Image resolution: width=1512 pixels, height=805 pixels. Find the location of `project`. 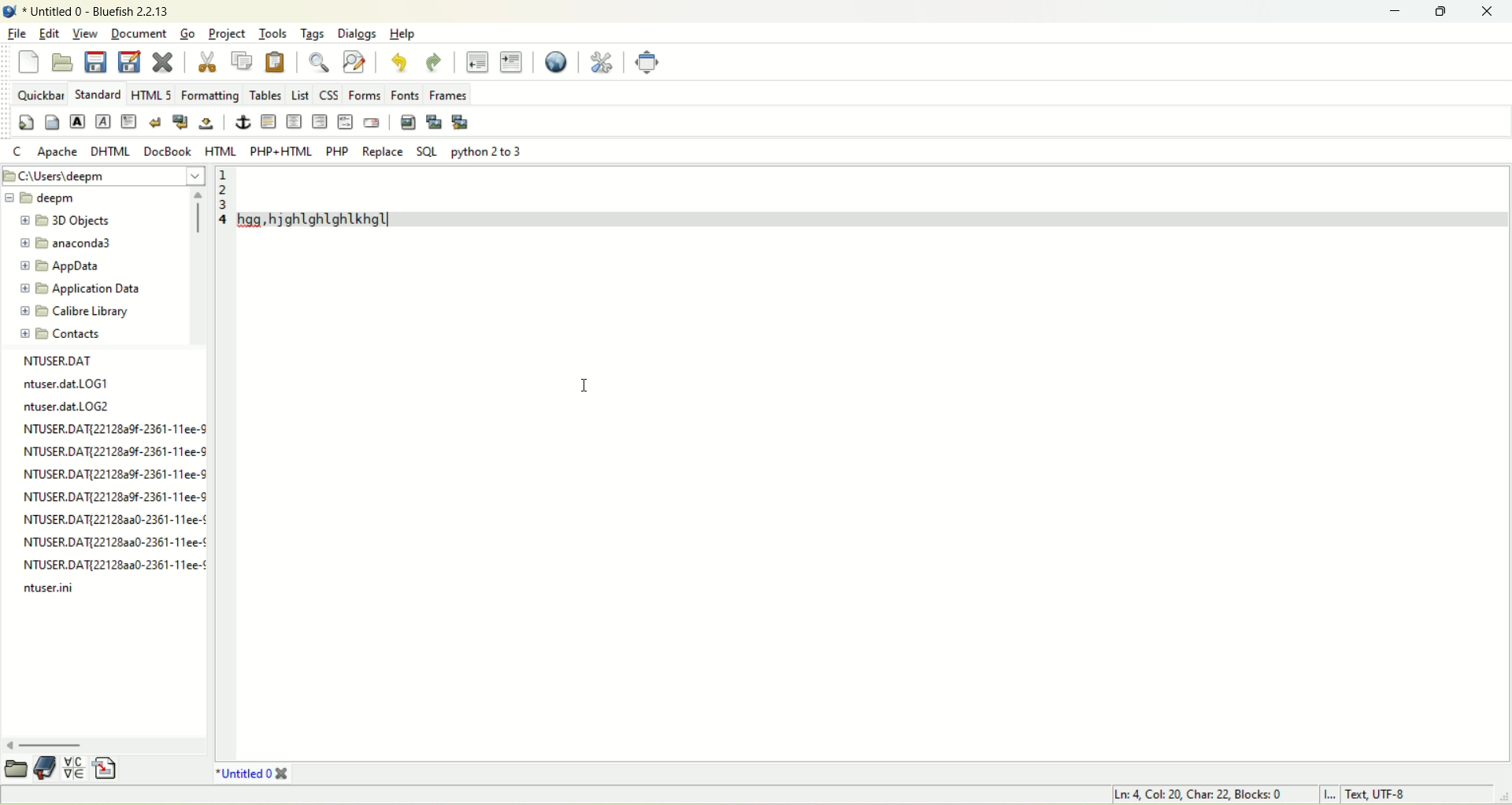

project is located at coordinates (228, 35).